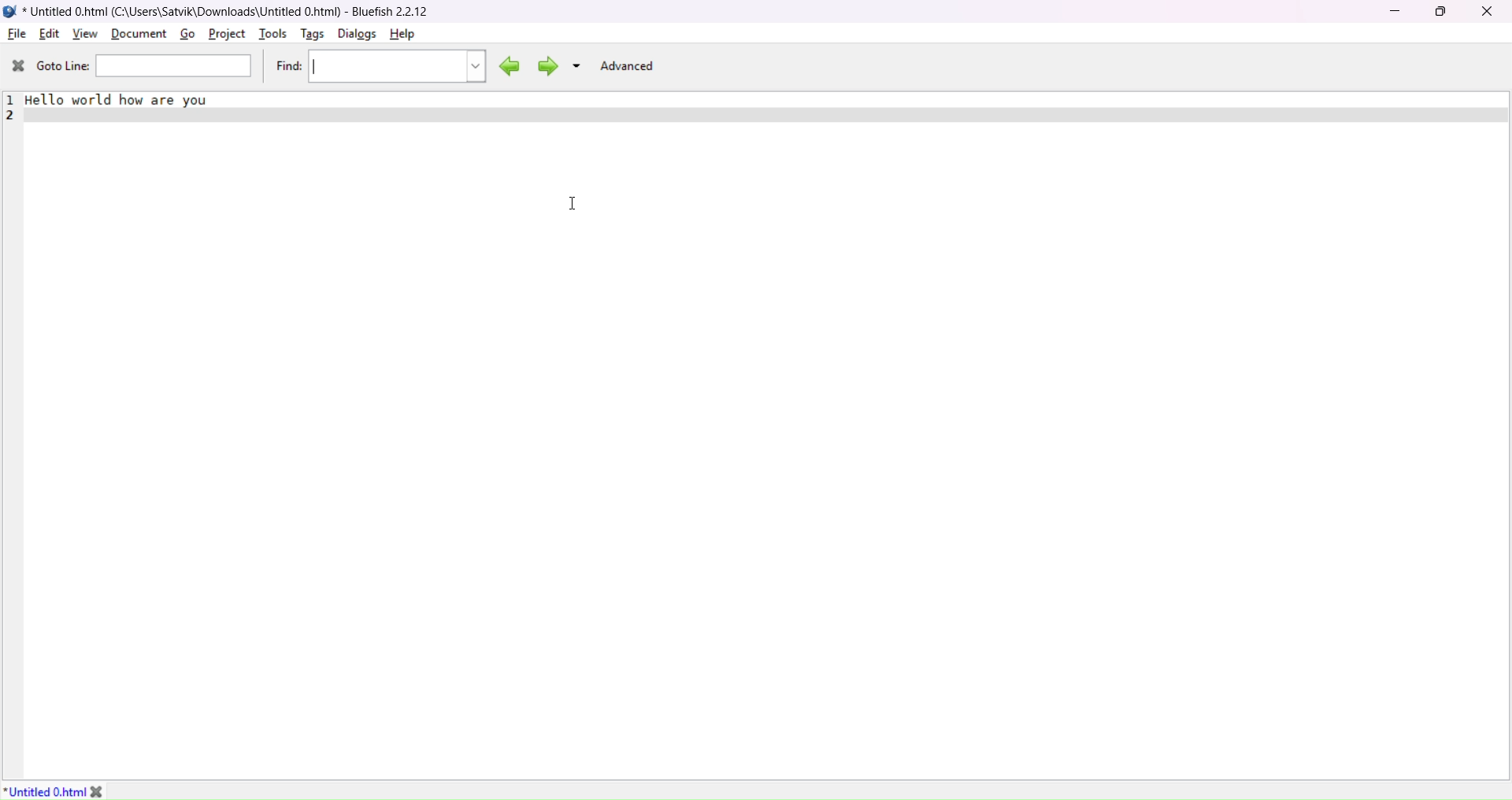  What do you see at coordinates (574, 205) in the screenshot?
I see `cursor` at bounding box center [574, 205].